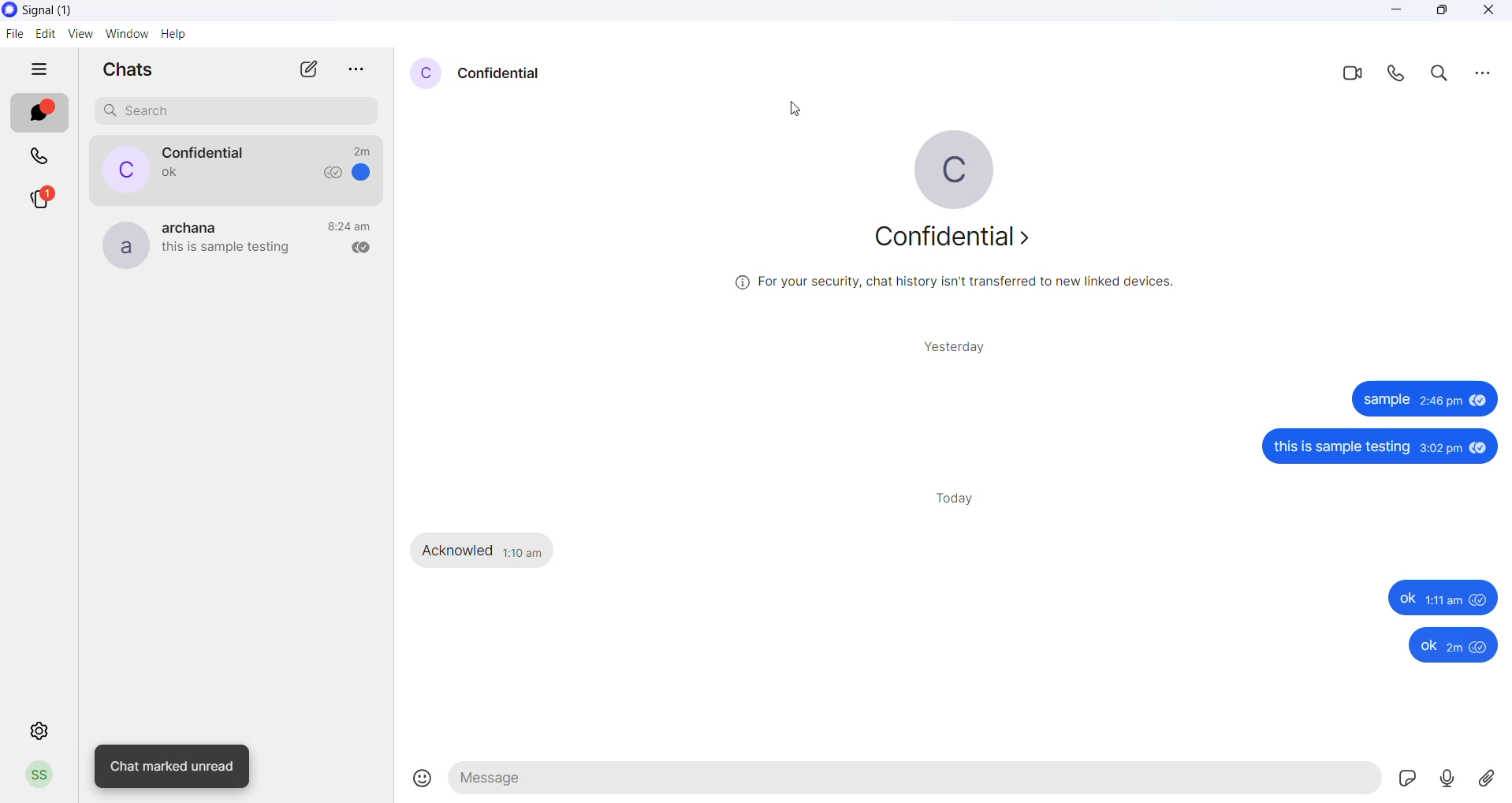 The width and height of the screenshot is (1512, 803). Describe the element at coordinates (365, 174) in the screenshot. I see `unread messages symbol` at that location.